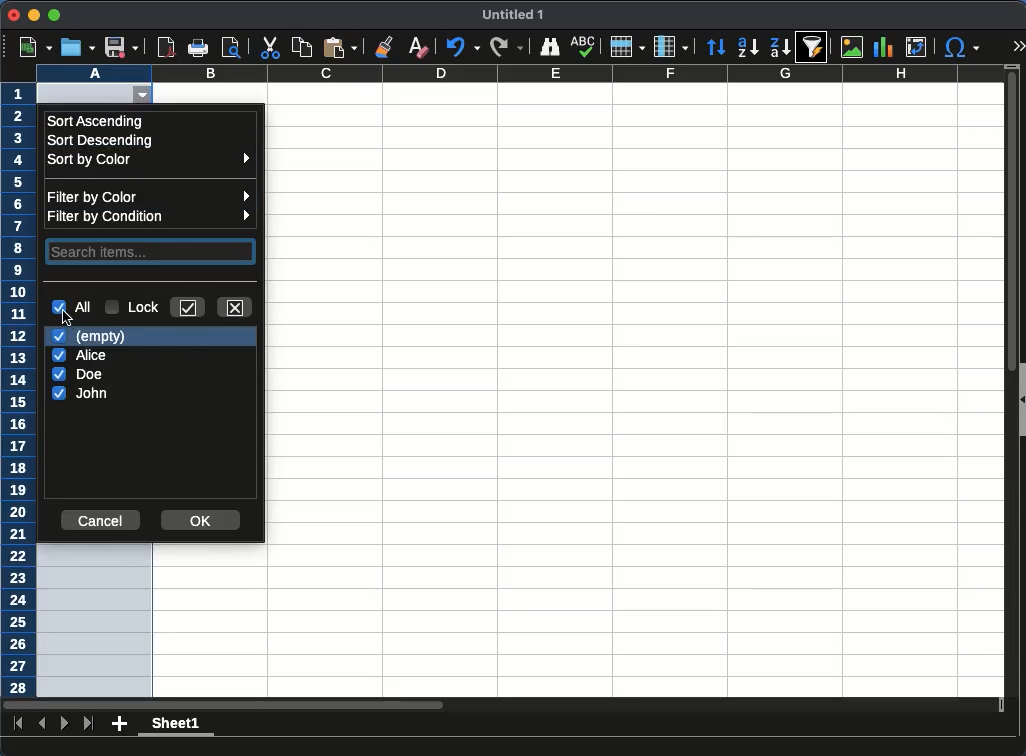  I want to click on image, so click(852, 46).